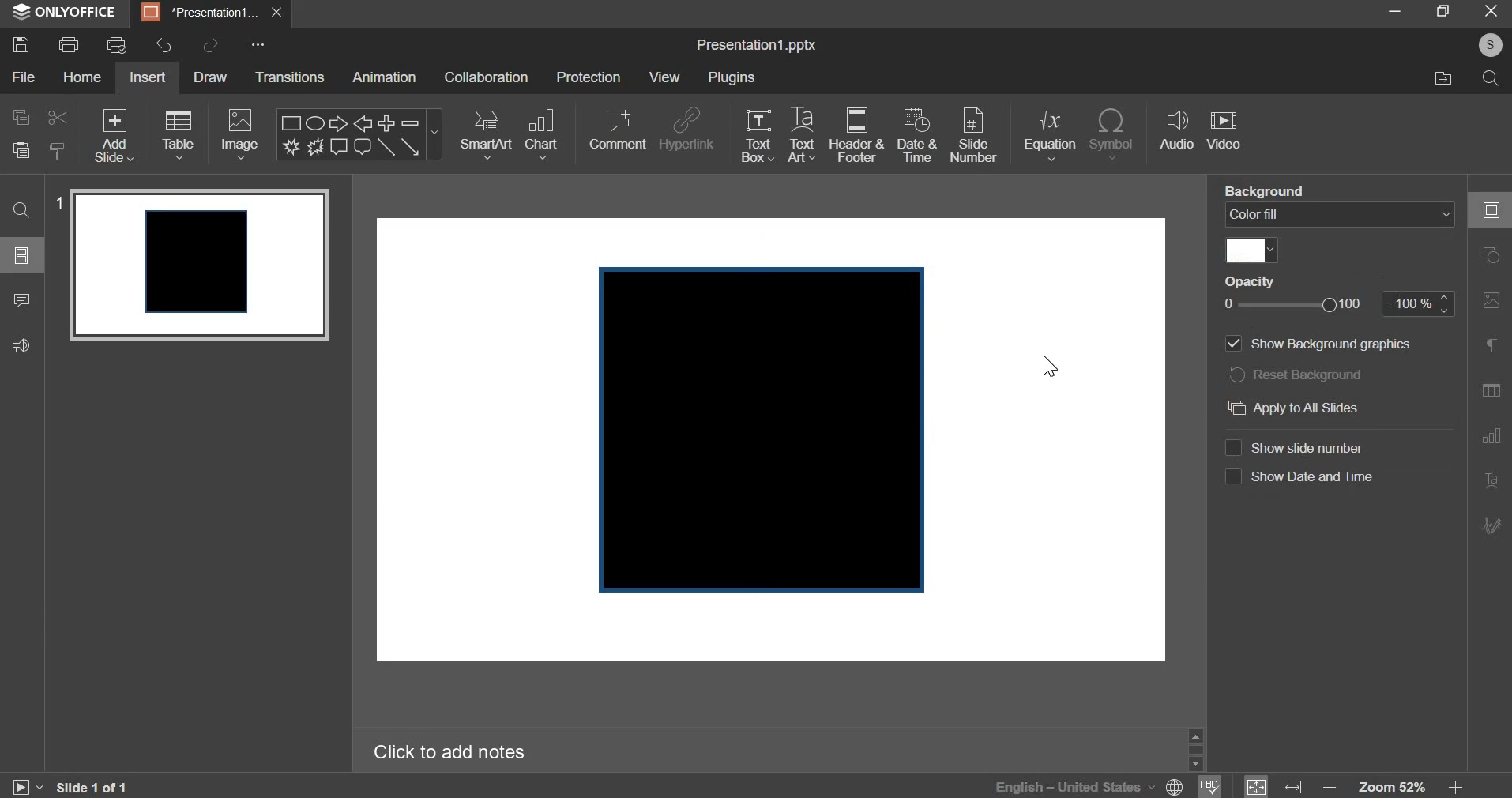 The image size is (1512, 798). I want to click on add slide, so click(111, 136).